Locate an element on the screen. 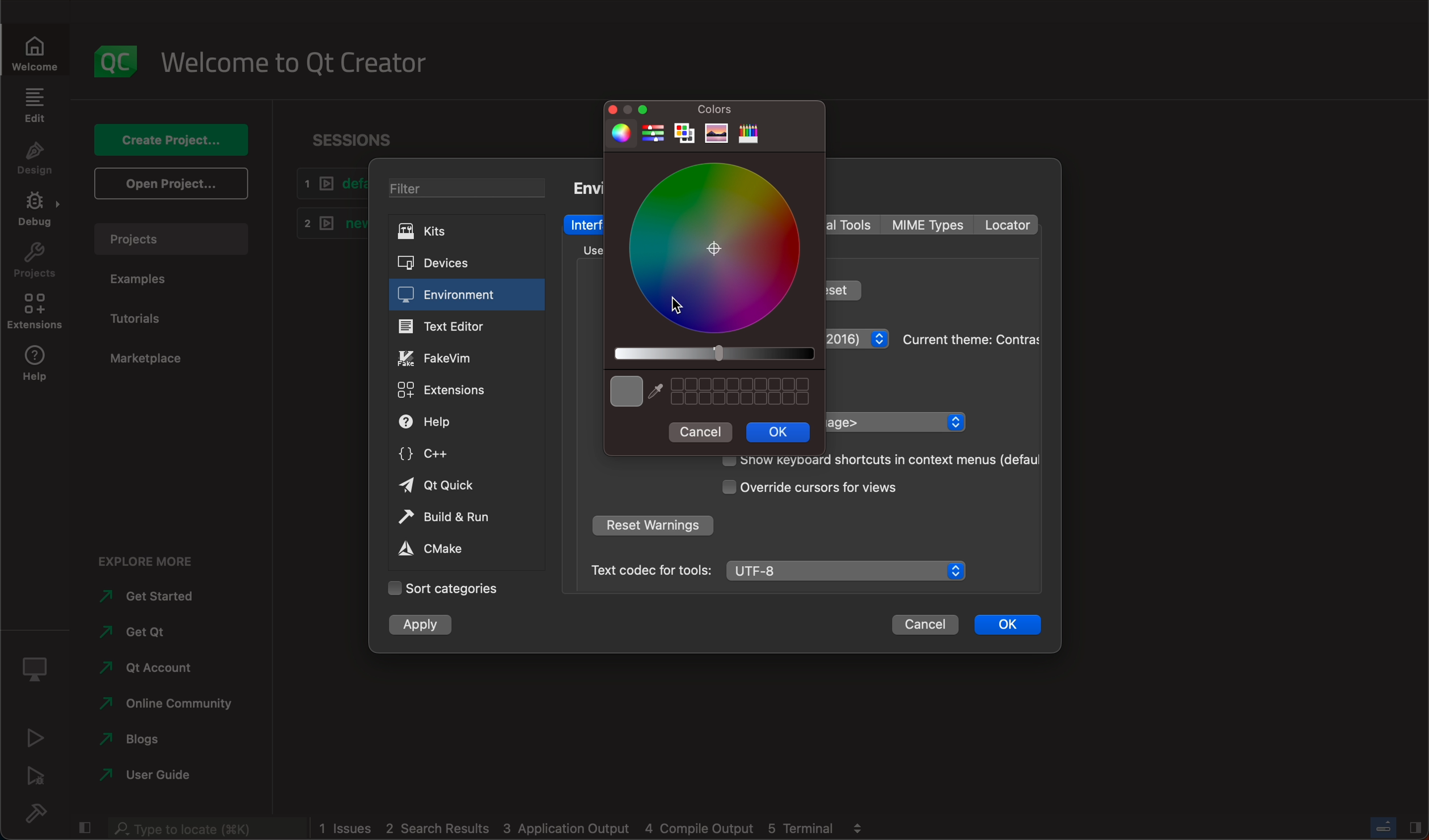 The image size is (1429, 840). edit is located at coordinates (34, 105).